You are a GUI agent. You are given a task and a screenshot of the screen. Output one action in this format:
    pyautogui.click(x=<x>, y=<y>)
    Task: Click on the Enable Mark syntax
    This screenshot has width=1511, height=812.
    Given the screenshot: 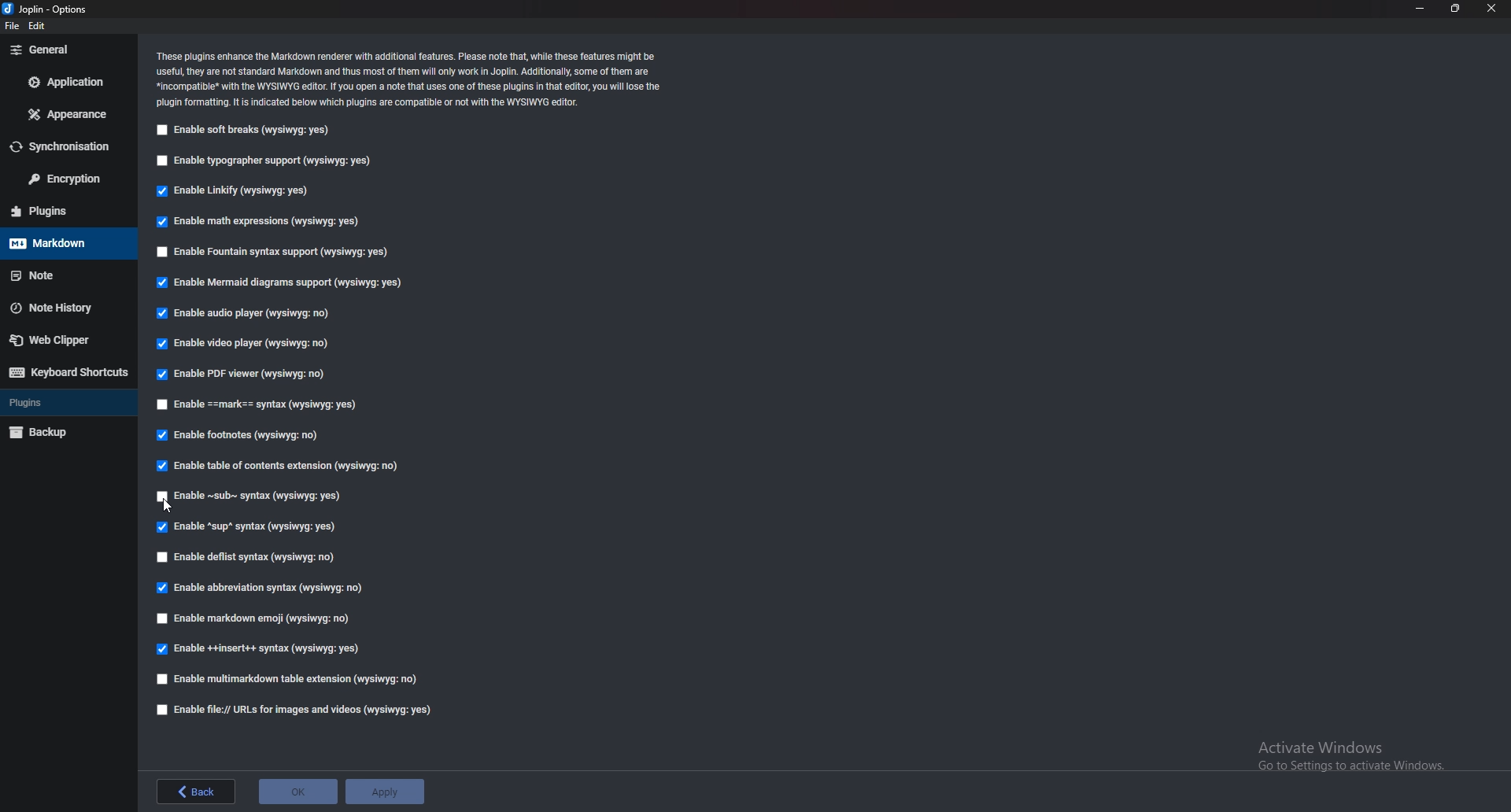 What is the action you would take?
    pyautogui.click(x=260, y=404)
    